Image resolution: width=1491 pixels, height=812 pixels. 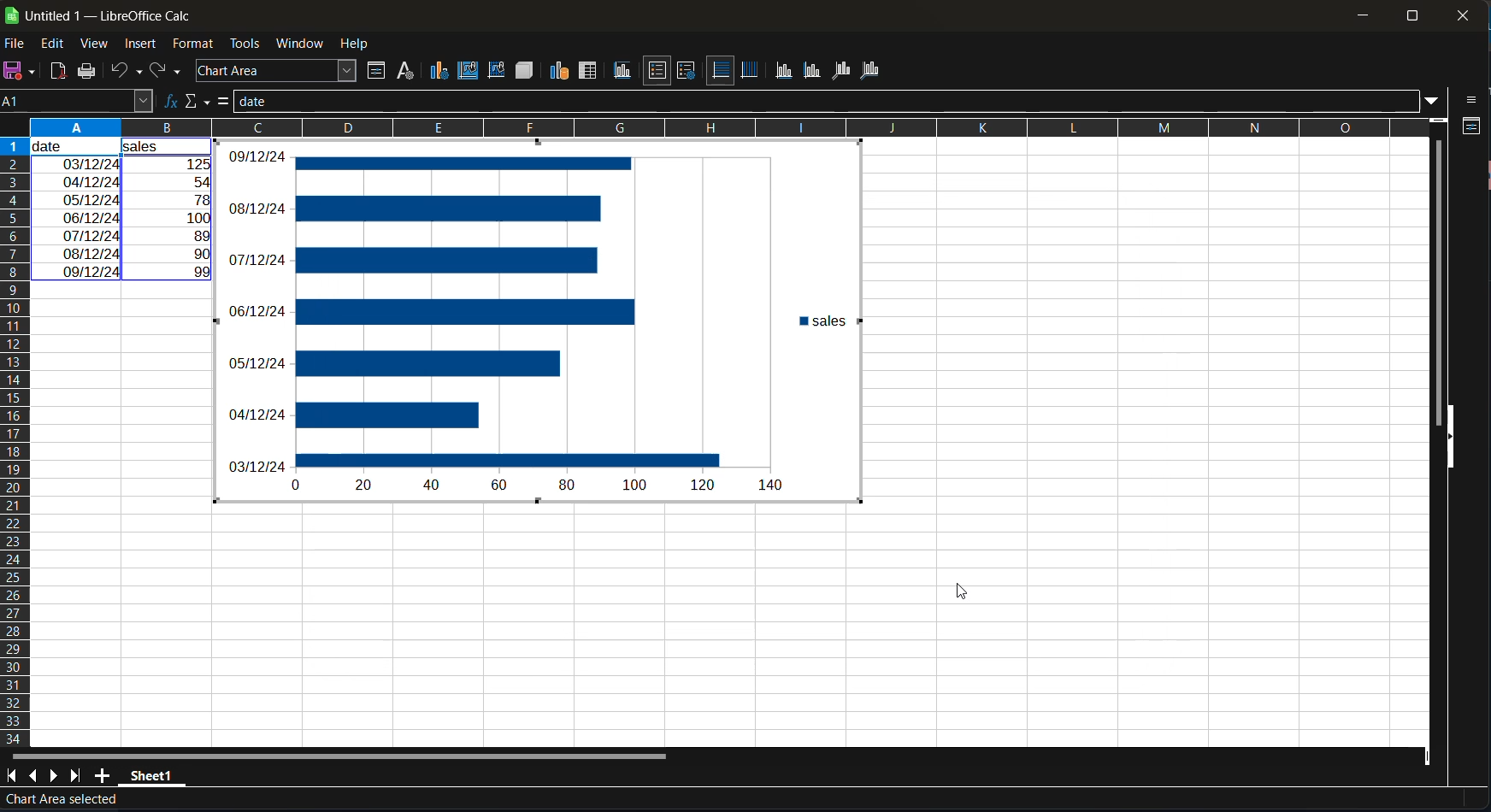 What do you see at coordinates (195, 102) in the screenshot?
I see `select function` at bounding box center [195, 102].